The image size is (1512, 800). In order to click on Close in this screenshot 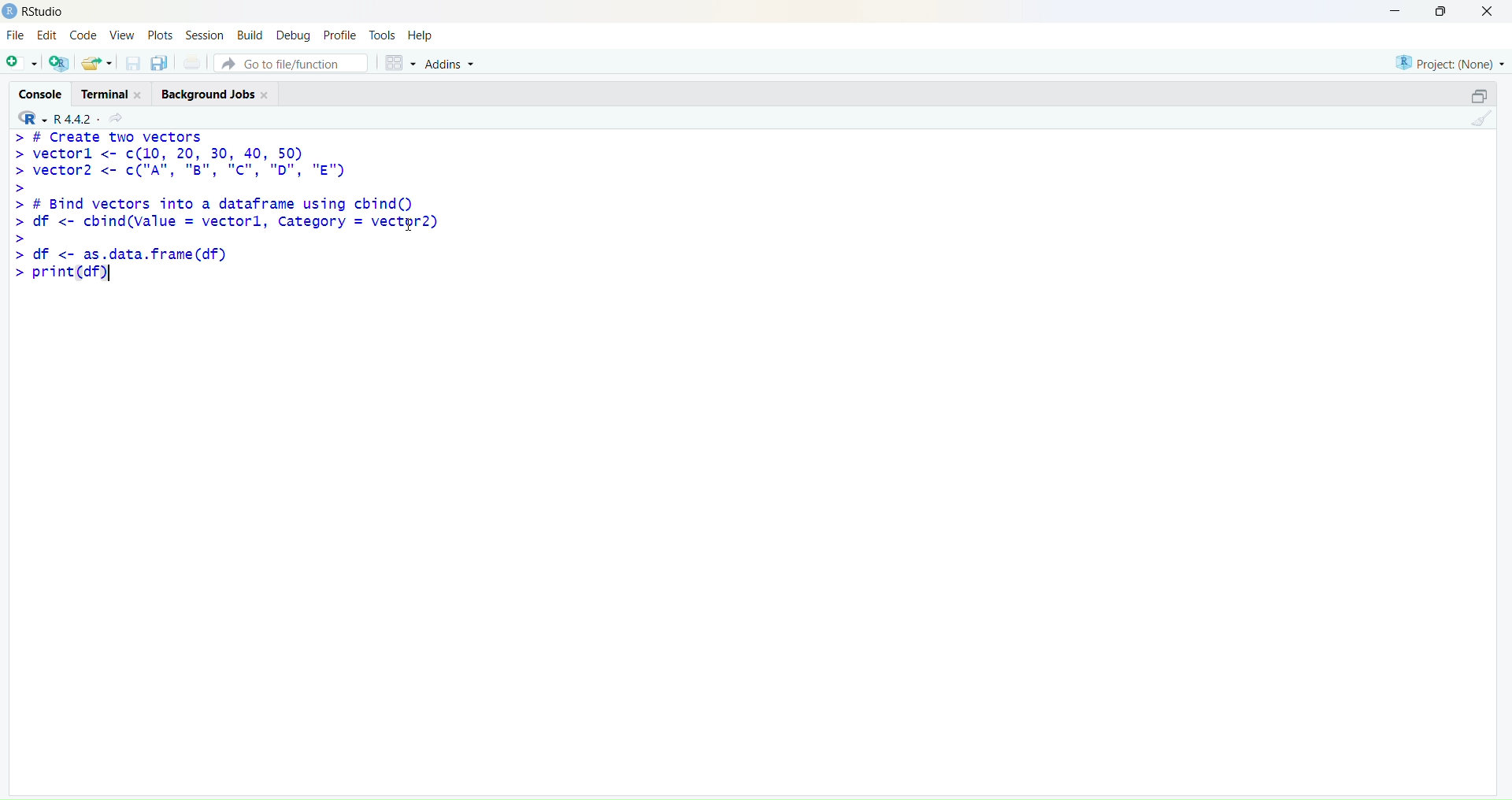, I will do `click(1488, 13)`.